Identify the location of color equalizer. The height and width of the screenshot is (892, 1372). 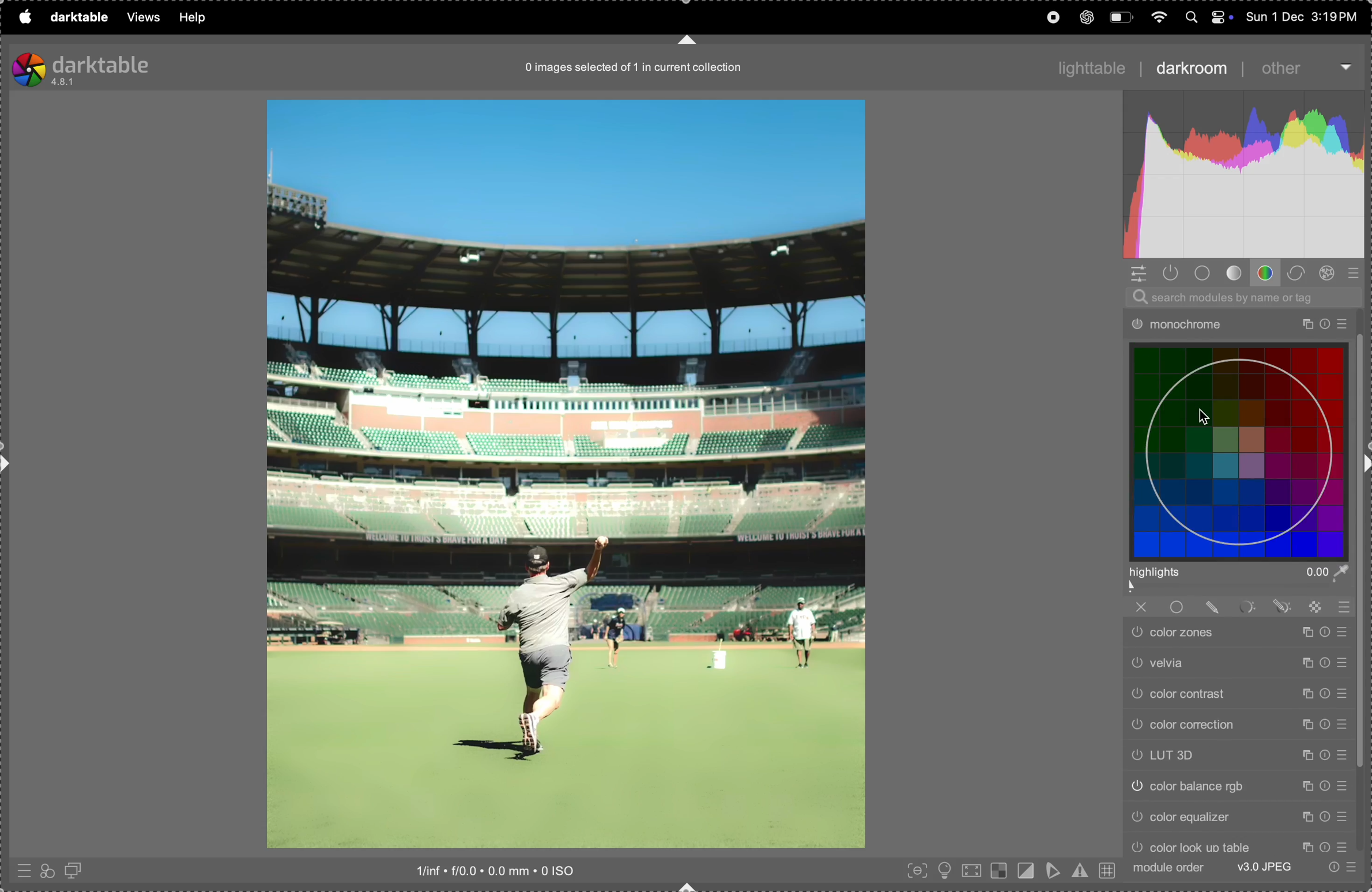
(1242, 819).